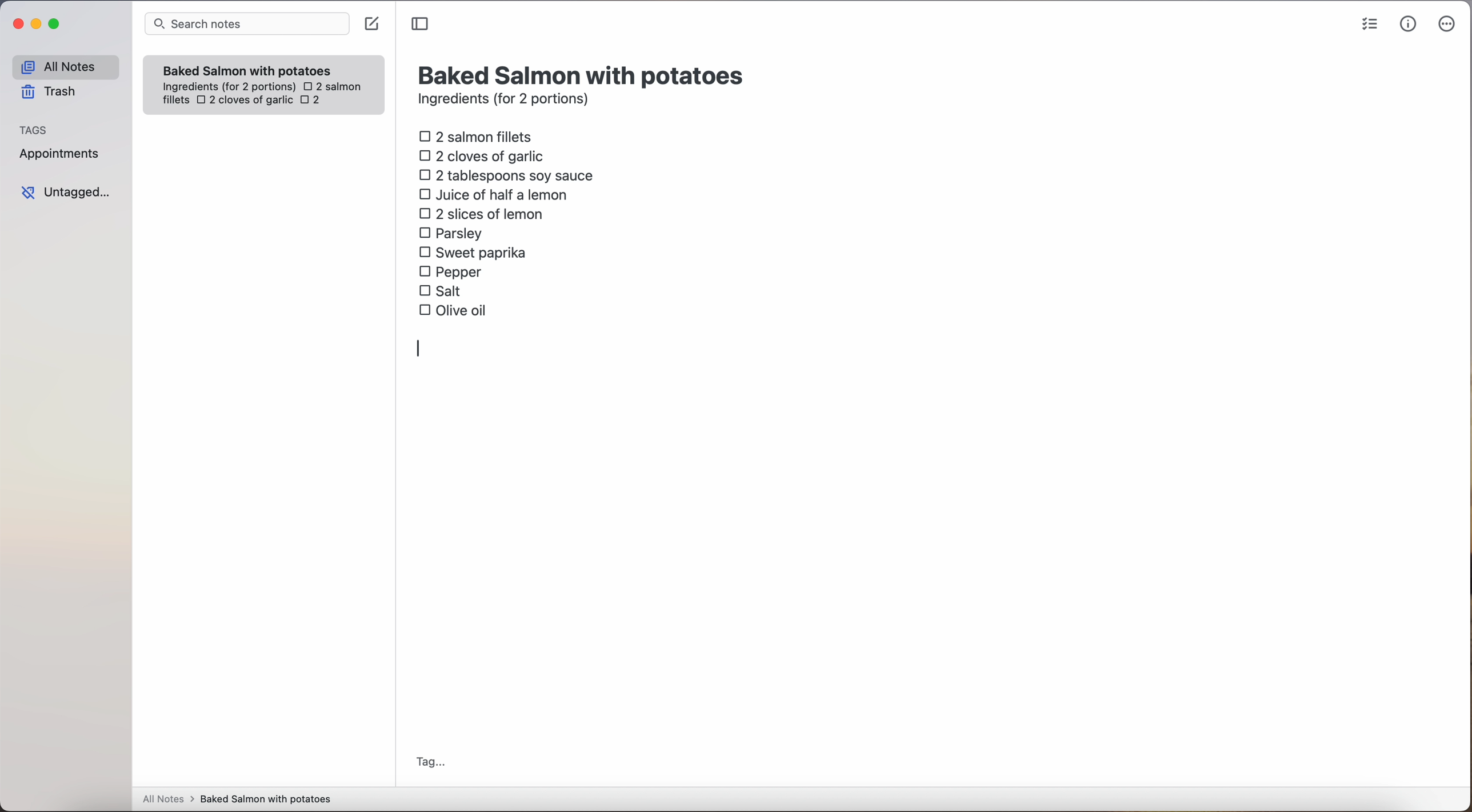 The height and width of the screenshot is (812, 1472). Describe the element at coordinates (482, 214) in the screenshot. I see `2 slices of lemon` at that location.